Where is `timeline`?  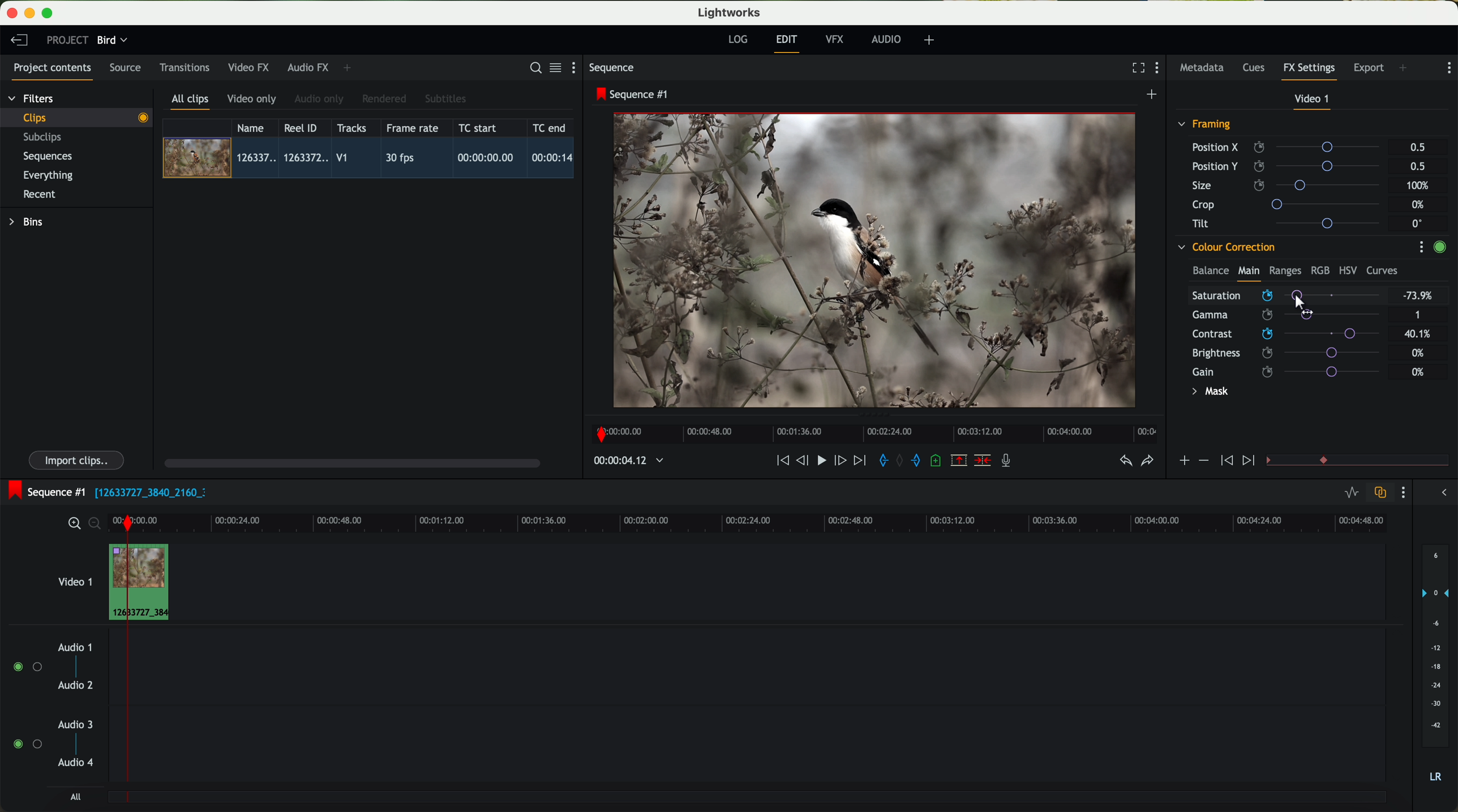 timeline is located at coordinates (871, 431).